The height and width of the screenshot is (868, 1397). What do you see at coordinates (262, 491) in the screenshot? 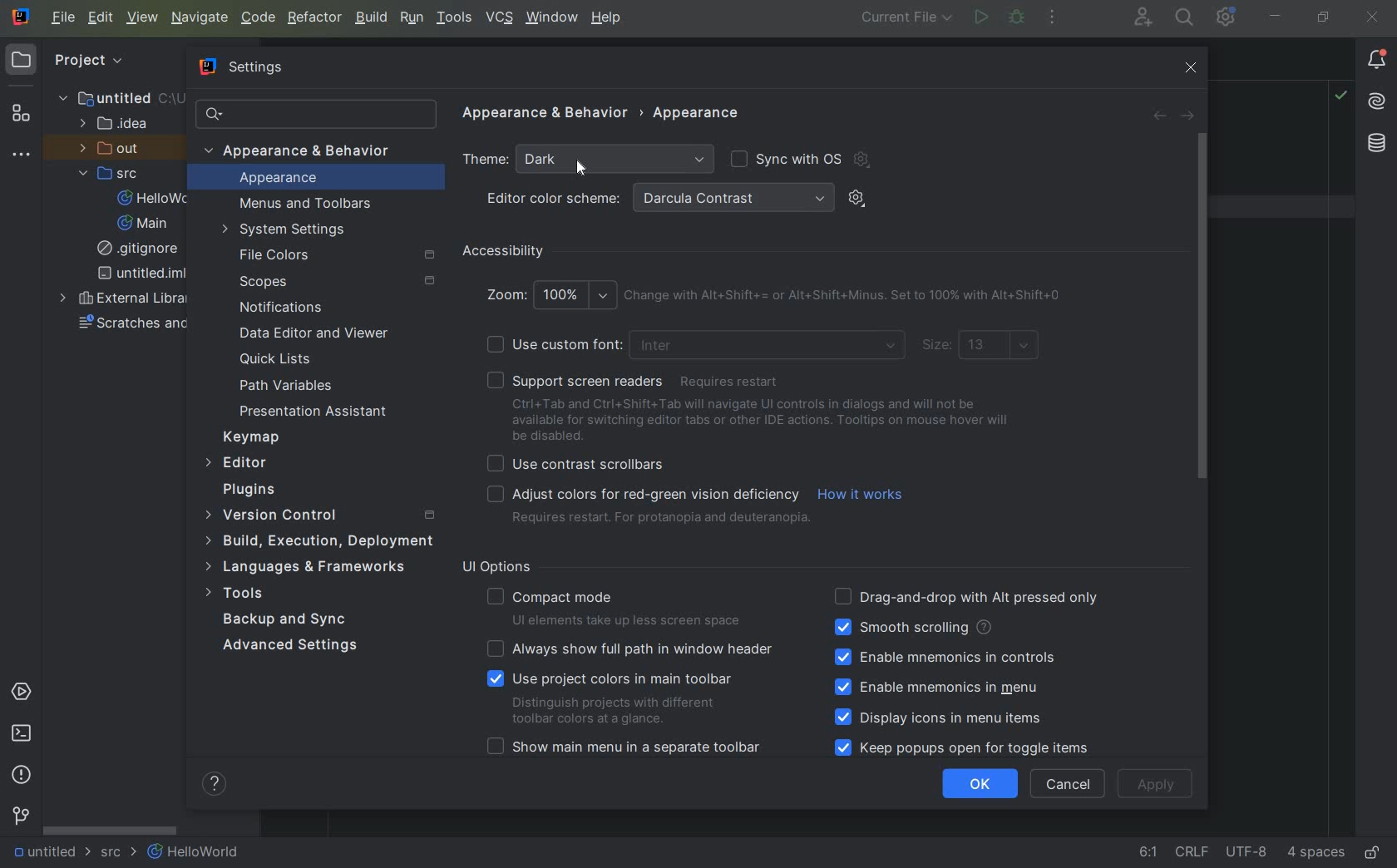
I see `PLUGINS` at bounding box center [262, 491].